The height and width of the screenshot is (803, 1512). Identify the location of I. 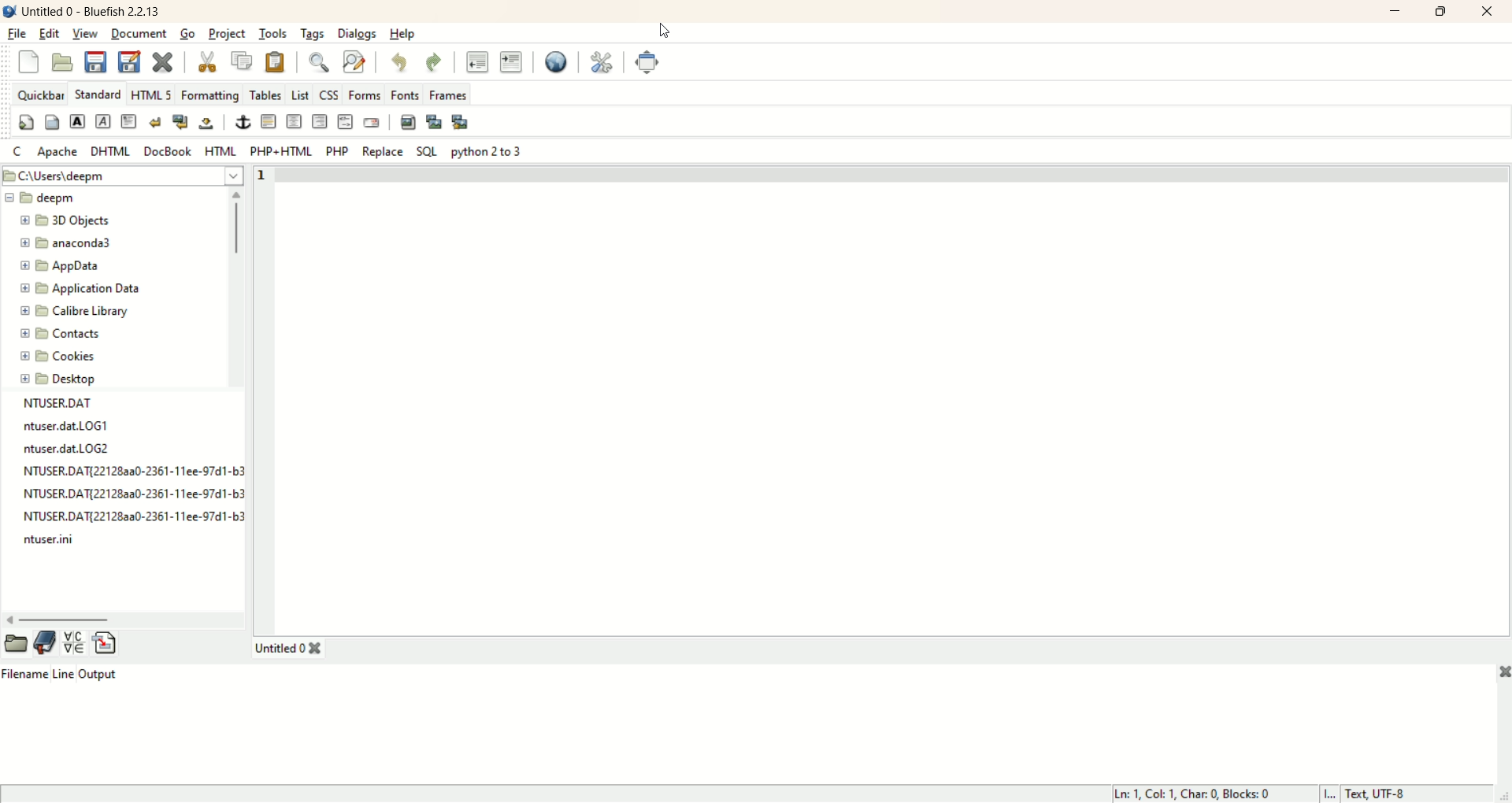
(1333, 794).